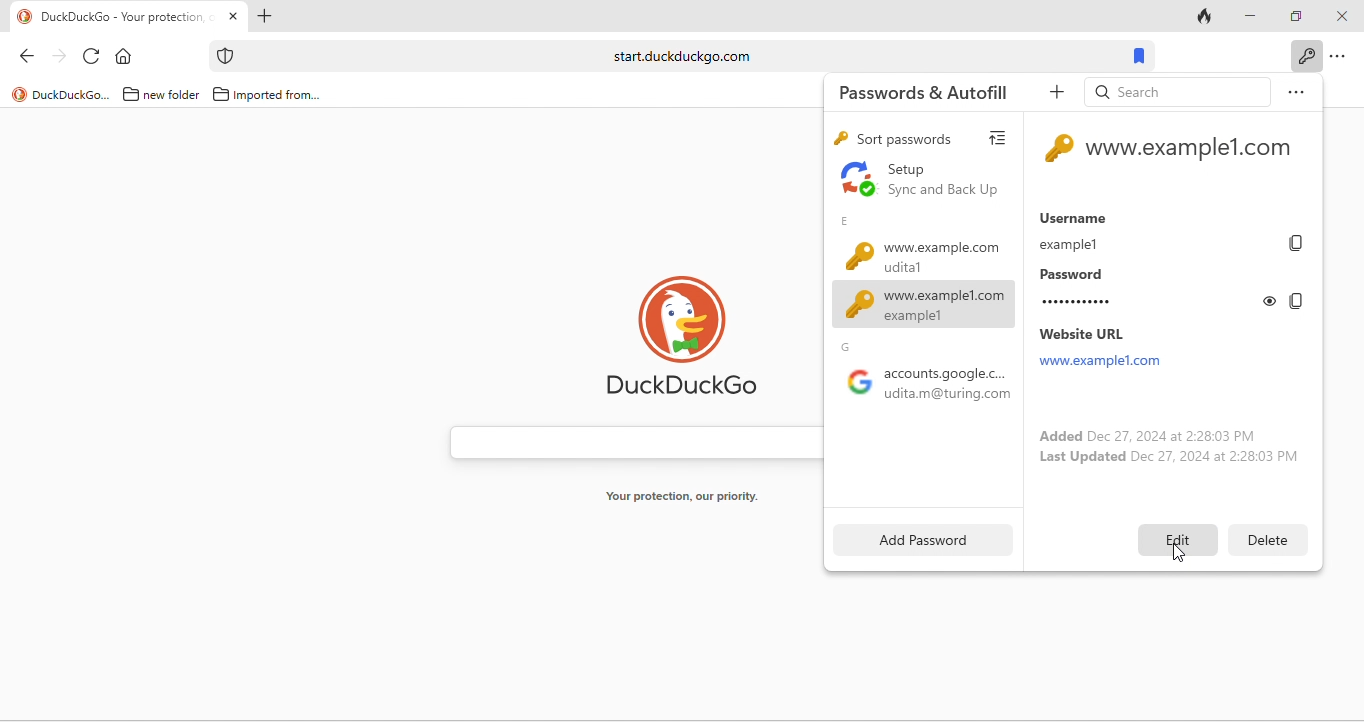 This screenshot has height=722, width=1364. I want to click on new folder, so click(173, 96).